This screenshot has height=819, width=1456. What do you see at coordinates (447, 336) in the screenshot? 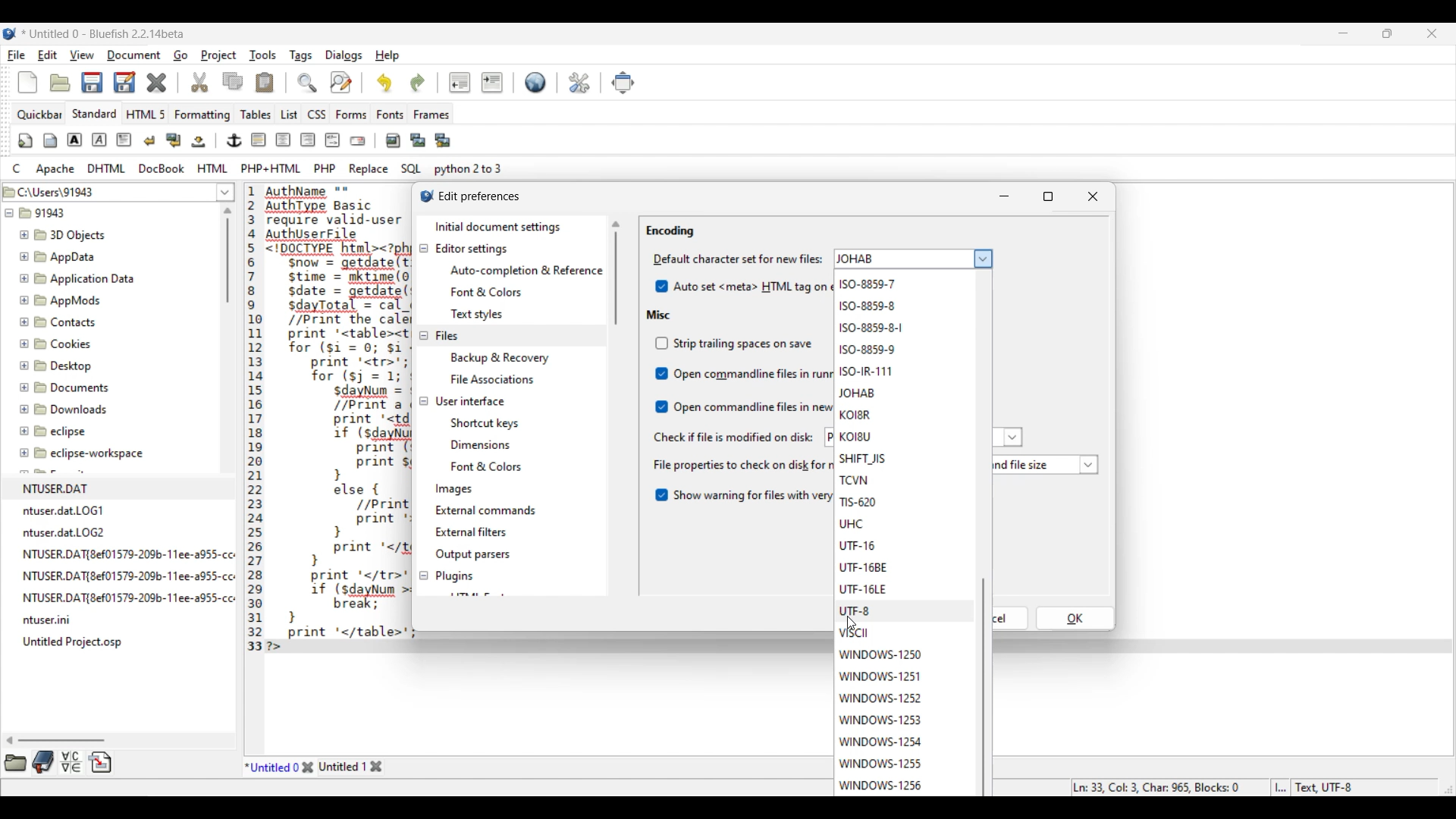
I see `Files settings` at bounding box center [447, 336].